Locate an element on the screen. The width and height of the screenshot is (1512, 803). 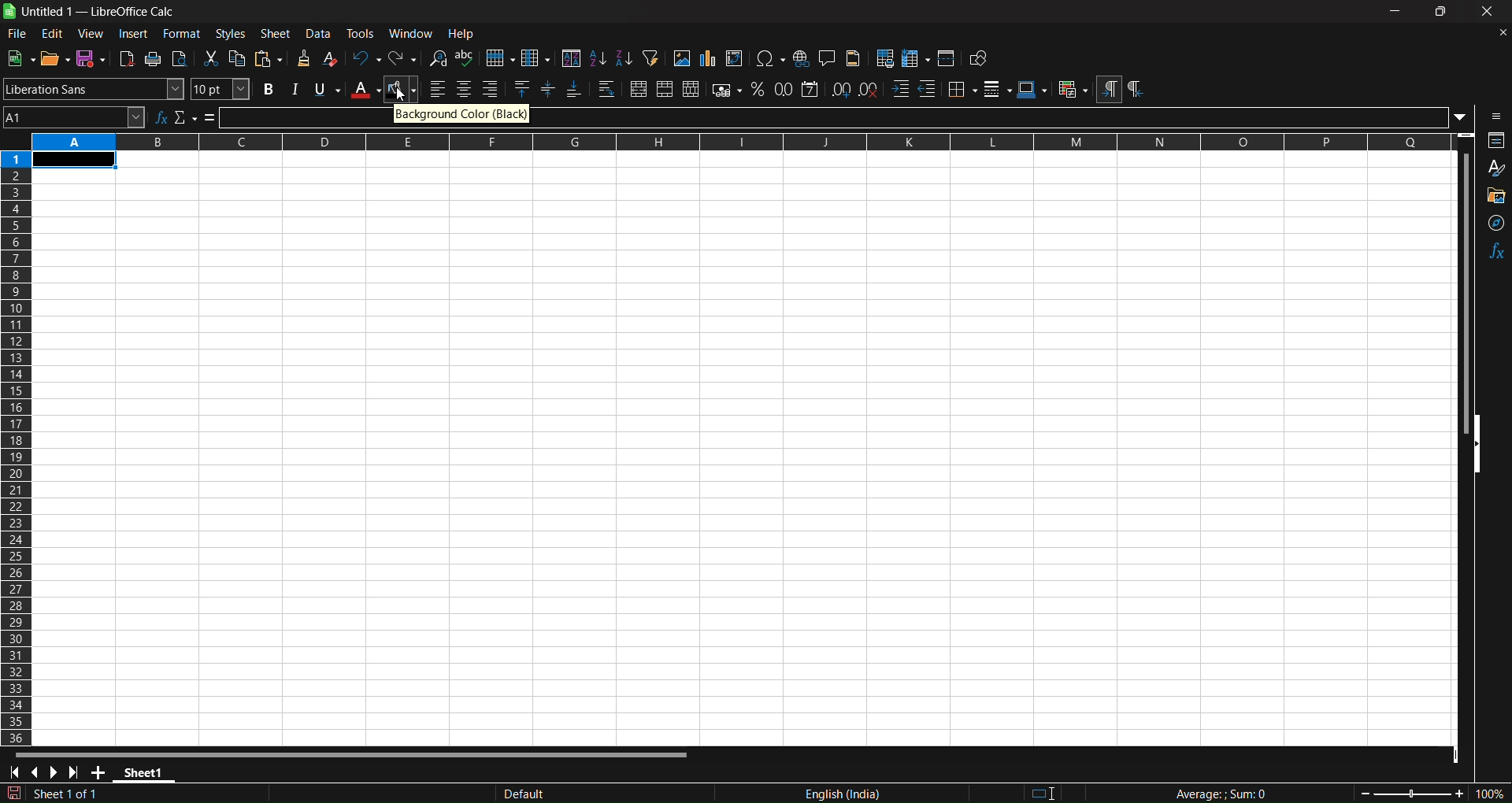
data is located at coordinates (318, 34).